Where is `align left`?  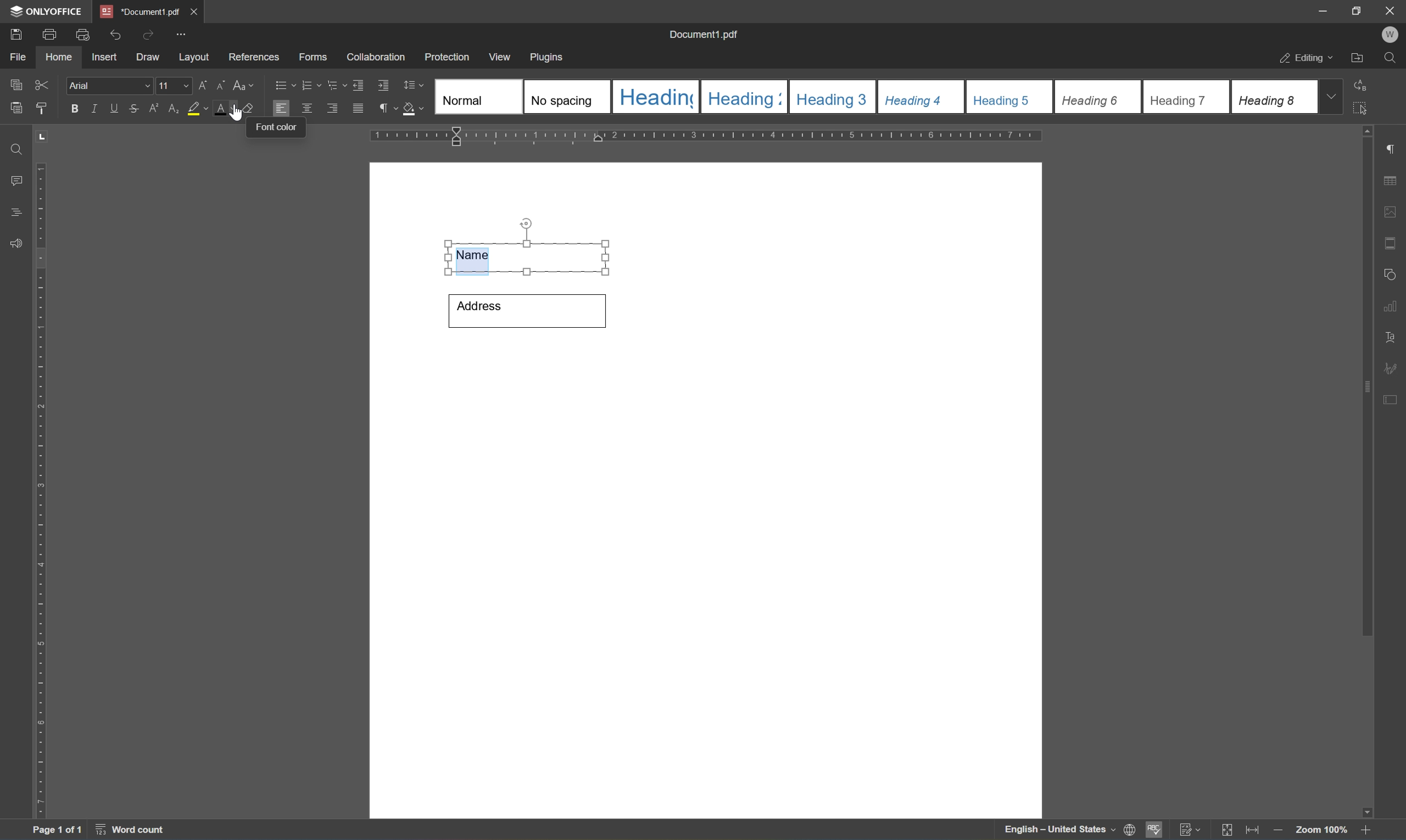 align left is located at coordinates (280, 107).